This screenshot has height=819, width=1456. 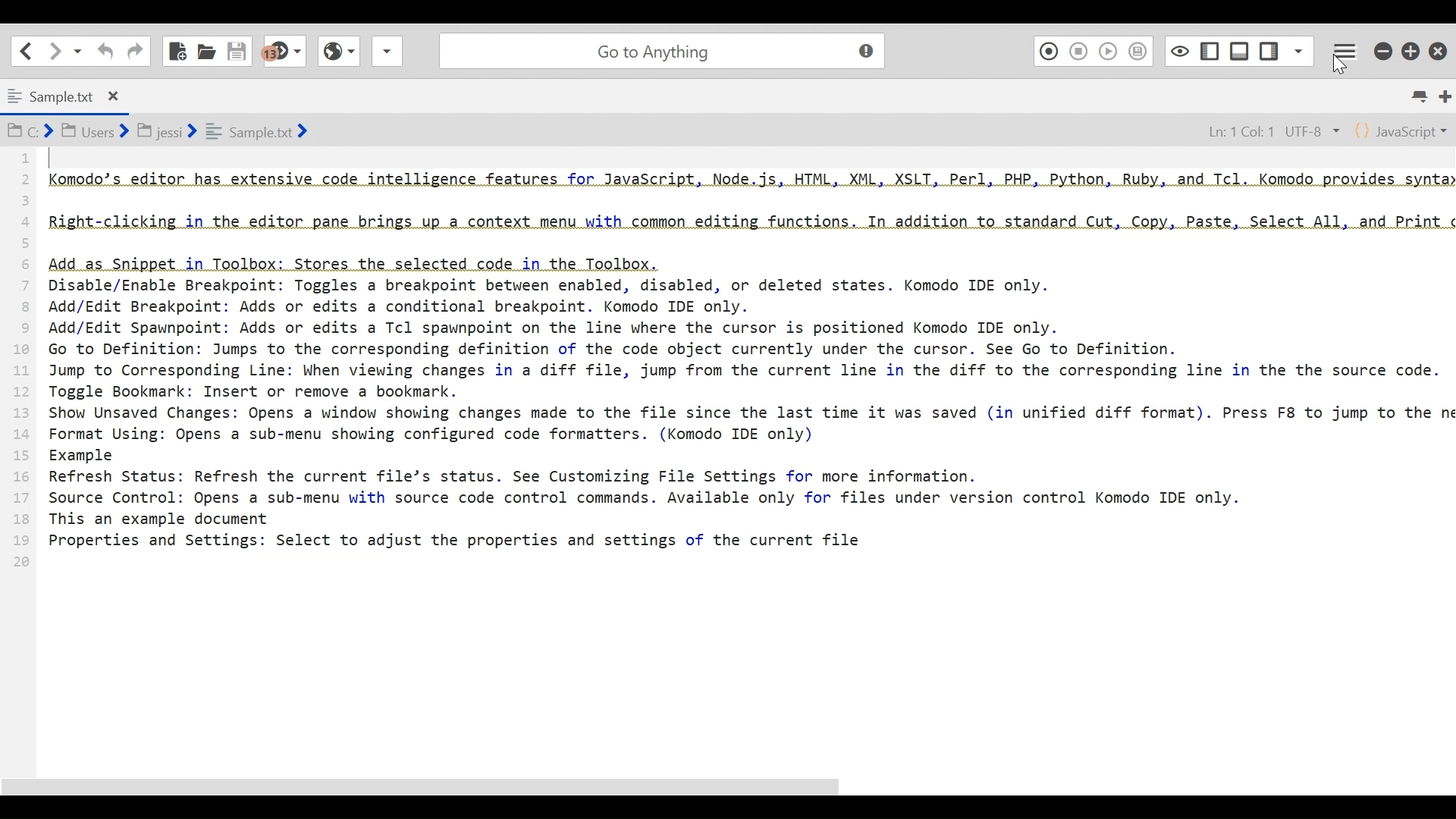 I want to click on Application menu, so click(x=1348, y=49).